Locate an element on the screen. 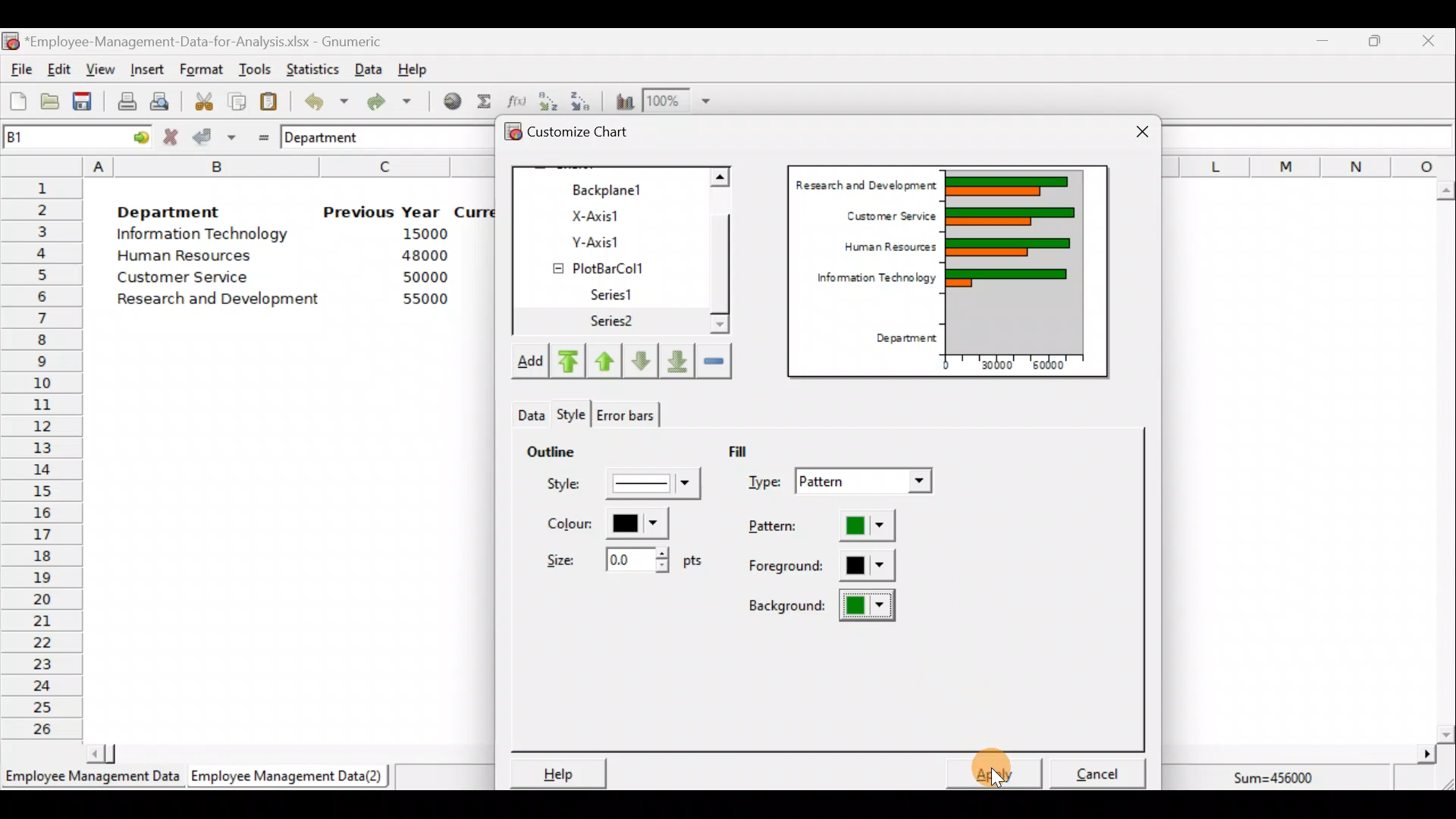 The image size is (1456, 819). Previous Year is located at coordinates (382, 212).